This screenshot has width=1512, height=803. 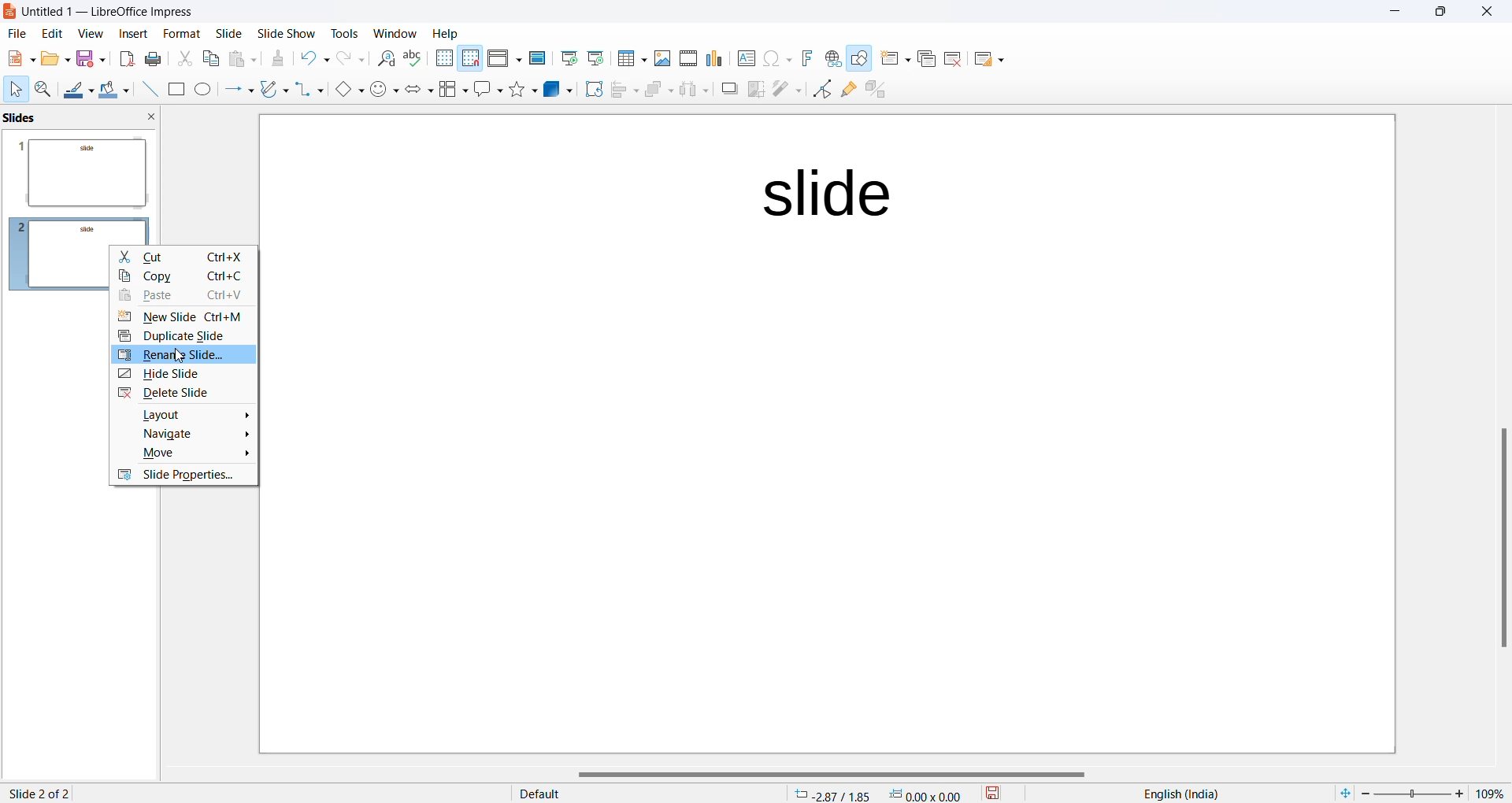 I want to click on delete slide, so click(x=182, y=394).